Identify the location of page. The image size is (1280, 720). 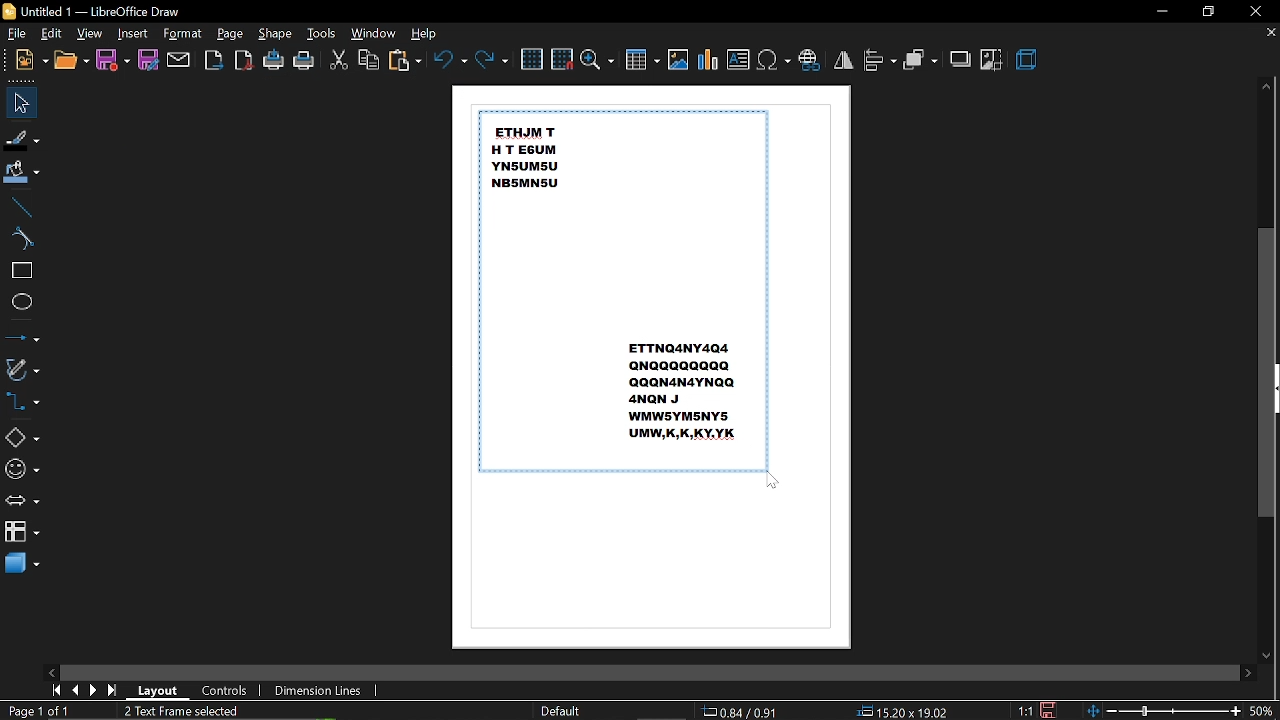
(230, 33).